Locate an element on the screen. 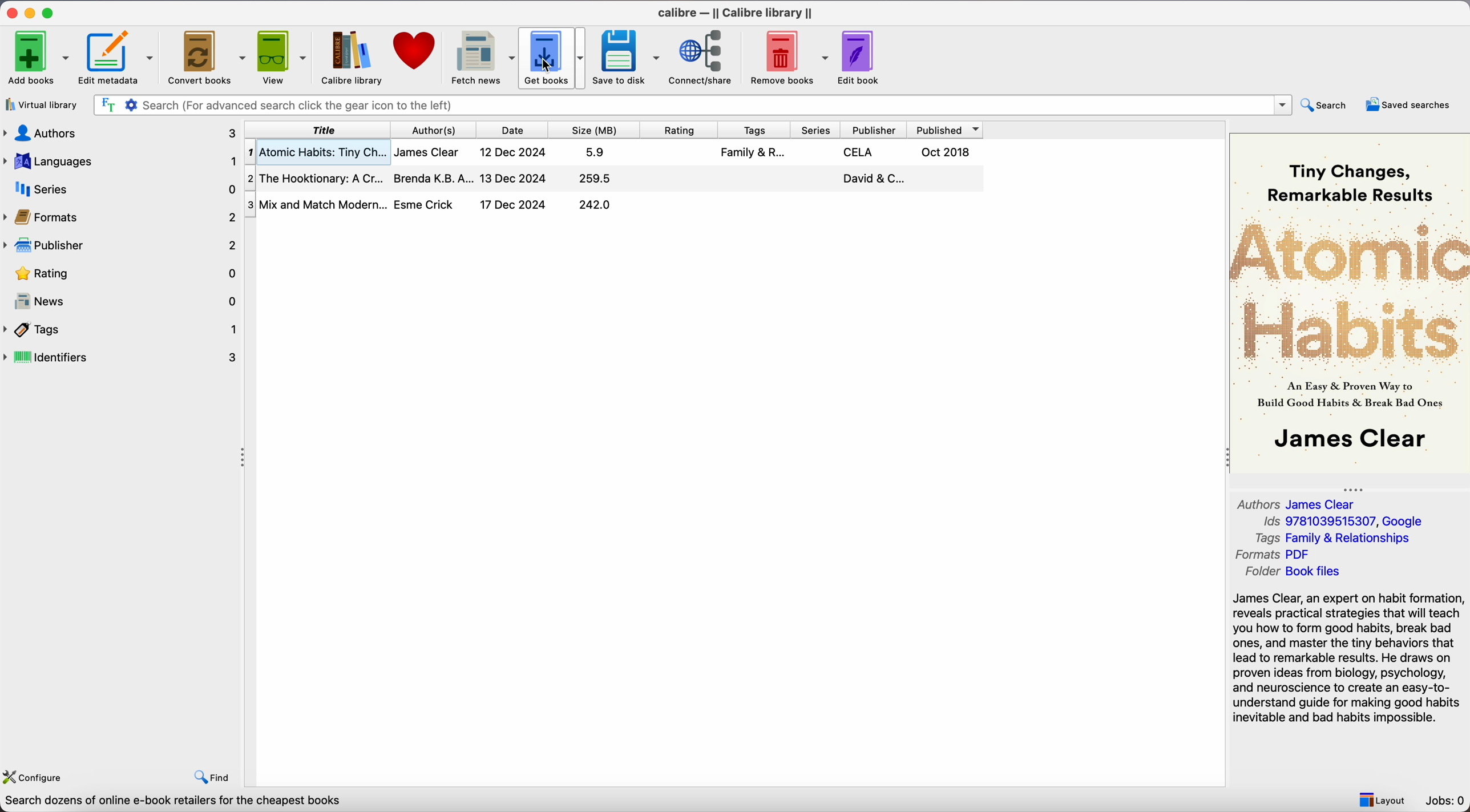 Image resolution: width=1470 pixels, height=812 pixels. maximize is located at coordinates (50, 11).